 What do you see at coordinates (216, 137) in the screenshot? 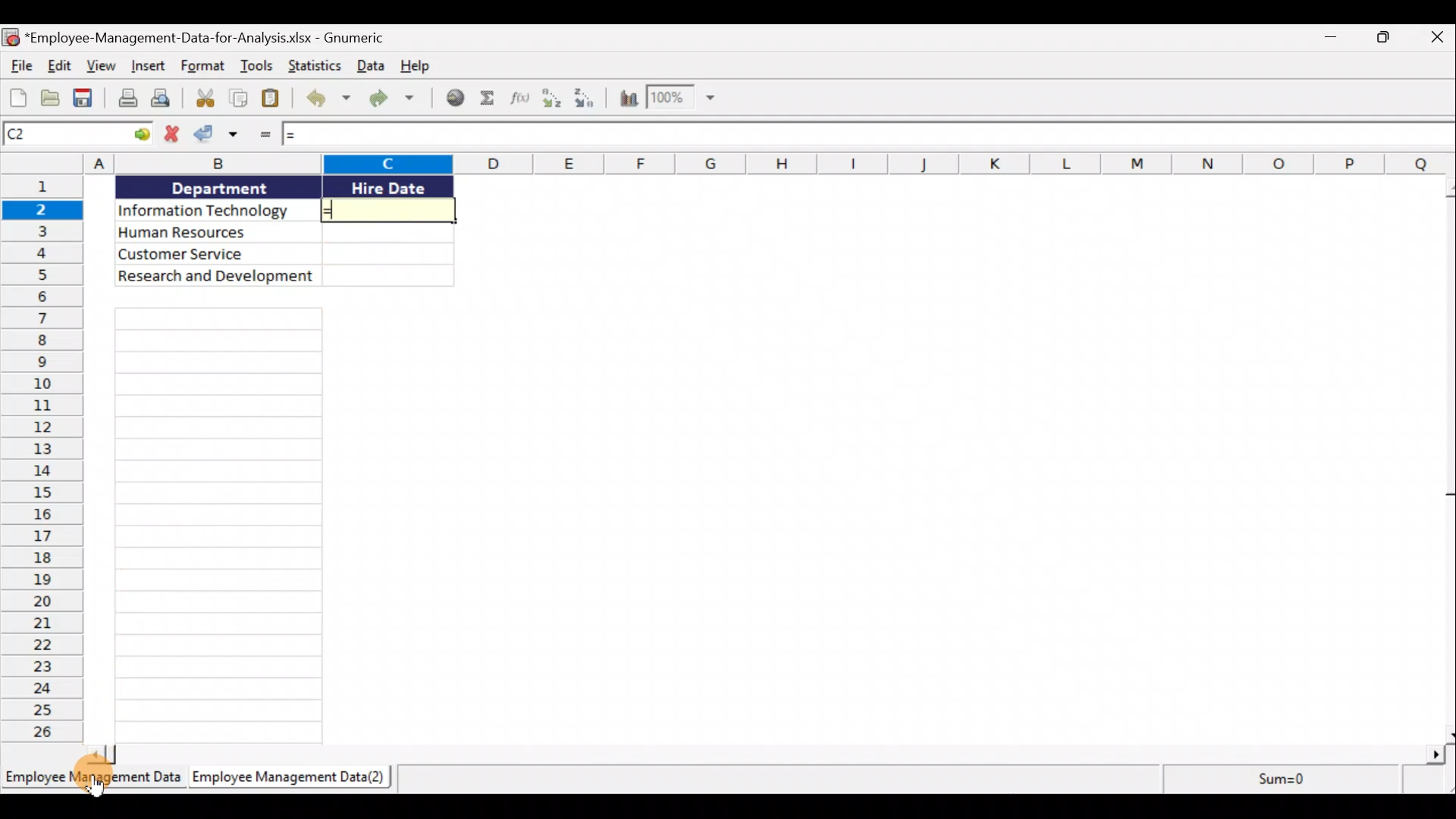
I see `Accept change` at bounding box center [216, 137].